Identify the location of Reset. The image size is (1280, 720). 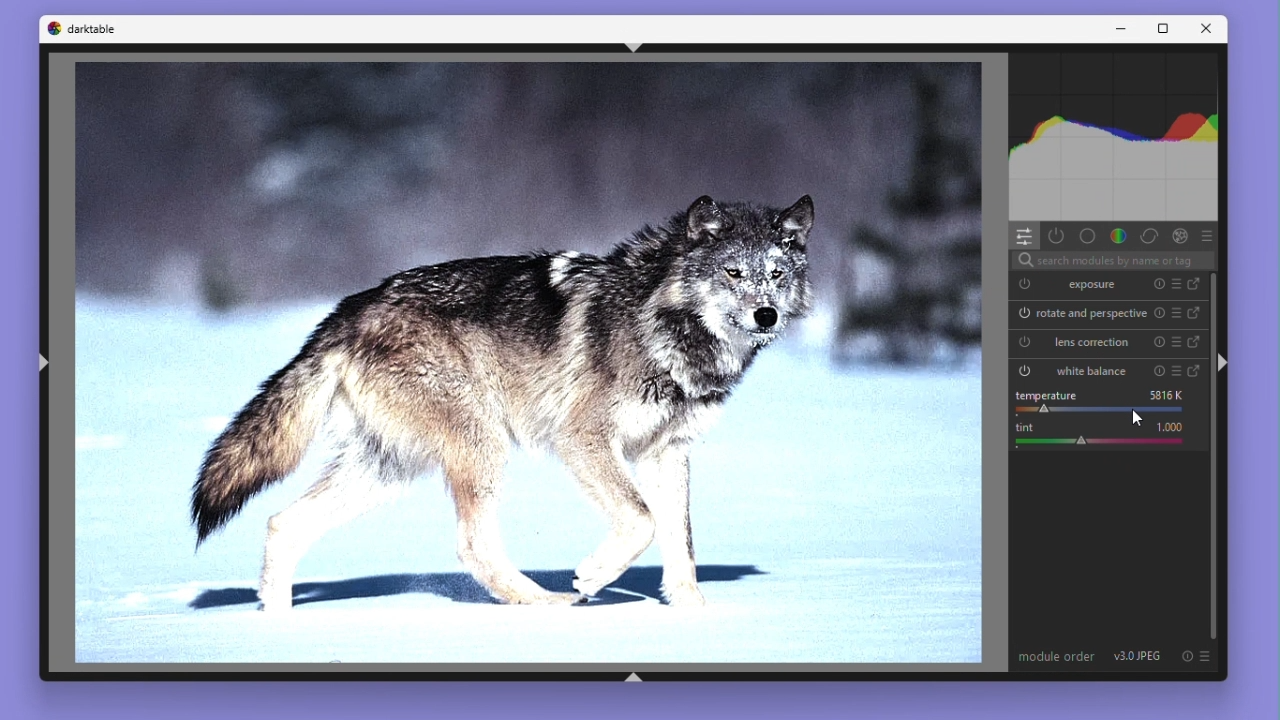
(1157, 343).